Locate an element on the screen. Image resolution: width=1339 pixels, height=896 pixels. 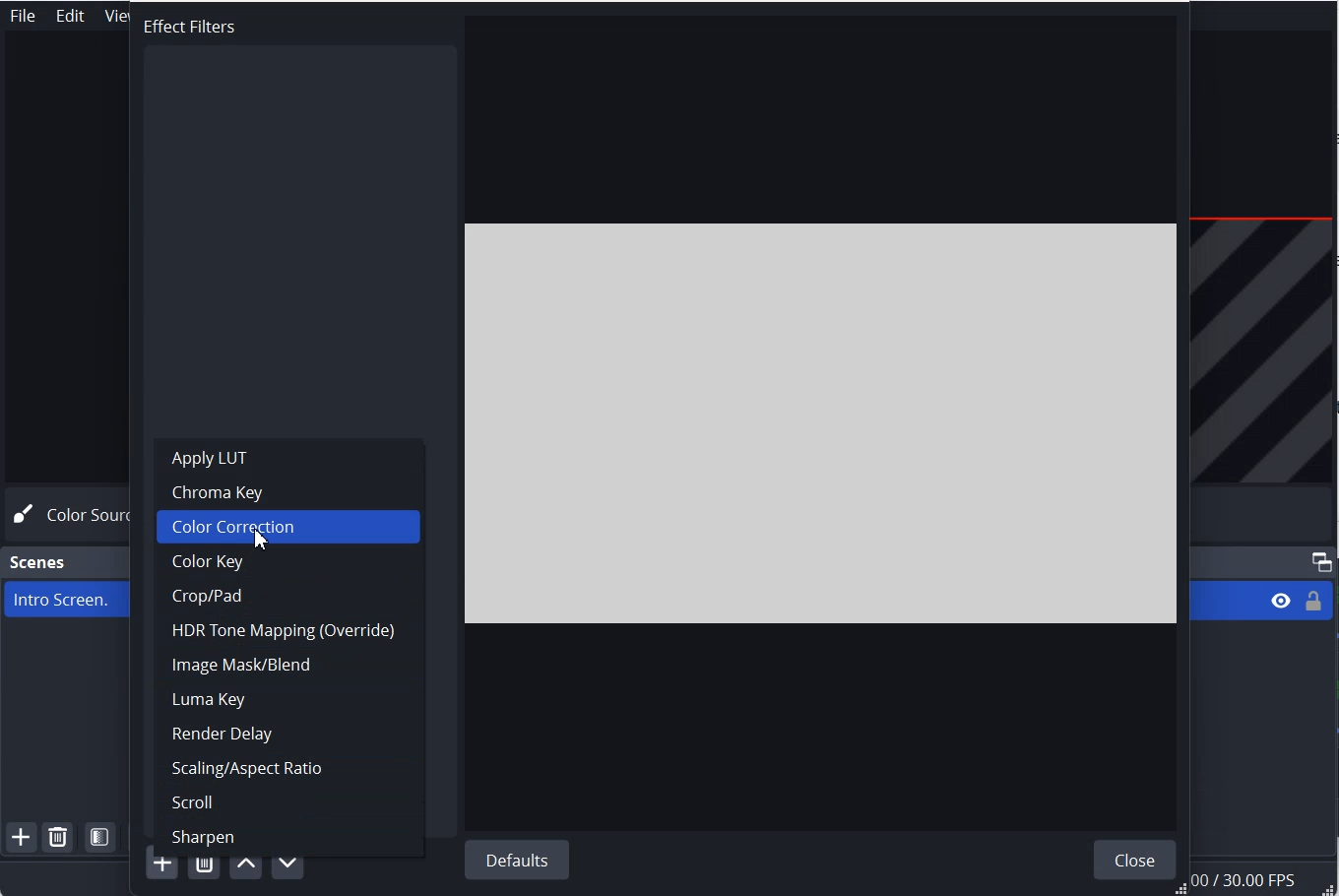
Luma Key is located at coordinates (287, 699).